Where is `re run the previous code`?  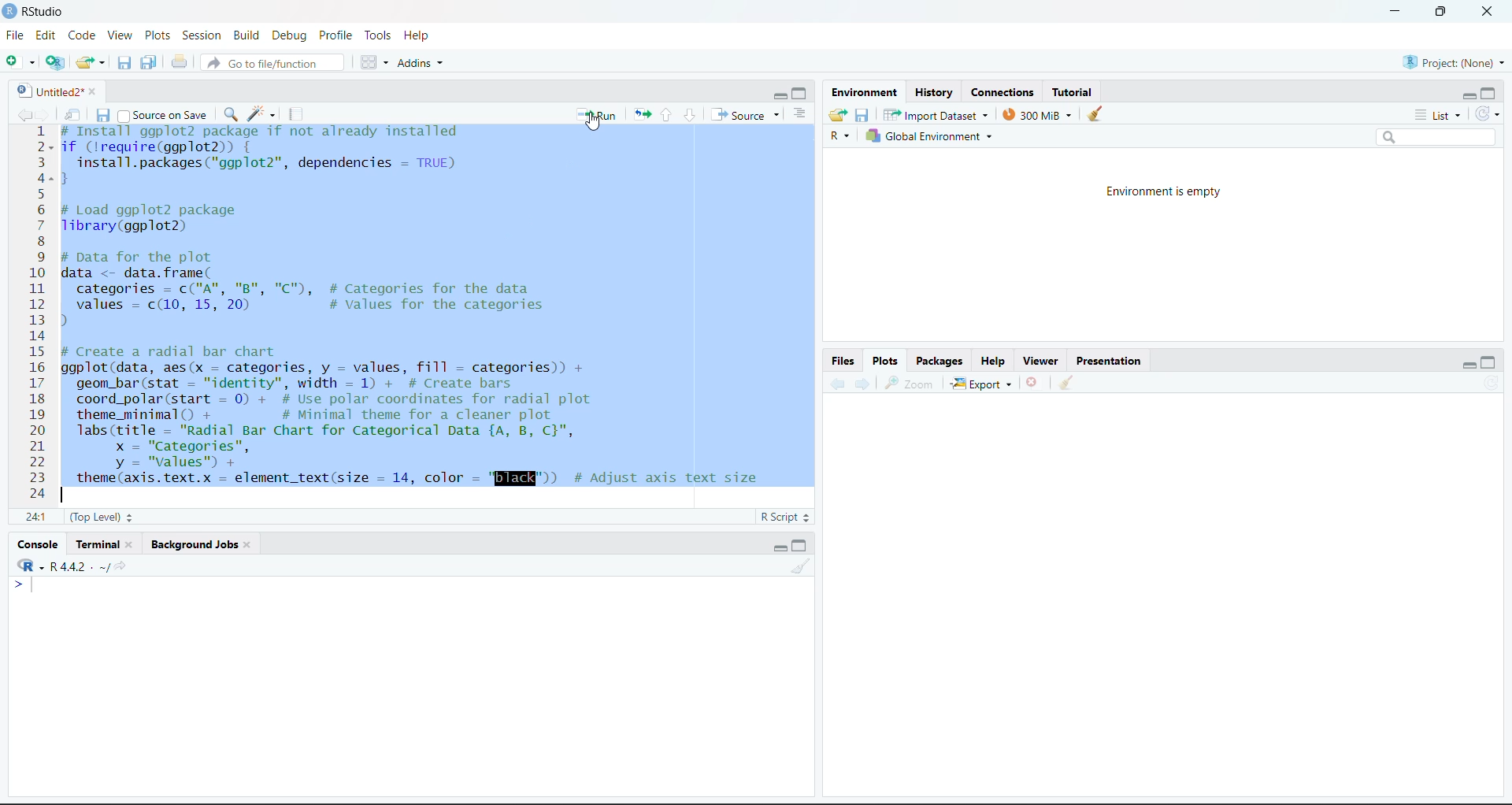
re run the previous code is located at coordinates (641, 114).